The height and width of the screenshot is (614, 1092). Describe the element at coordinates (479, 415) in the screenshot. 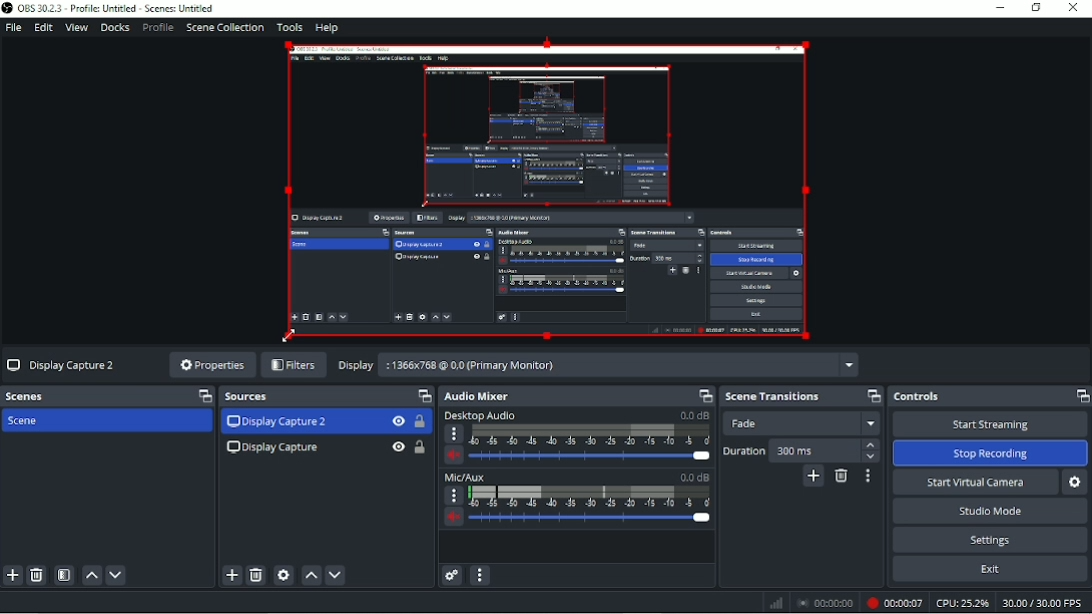

I see `Desktop Audio` at that location.